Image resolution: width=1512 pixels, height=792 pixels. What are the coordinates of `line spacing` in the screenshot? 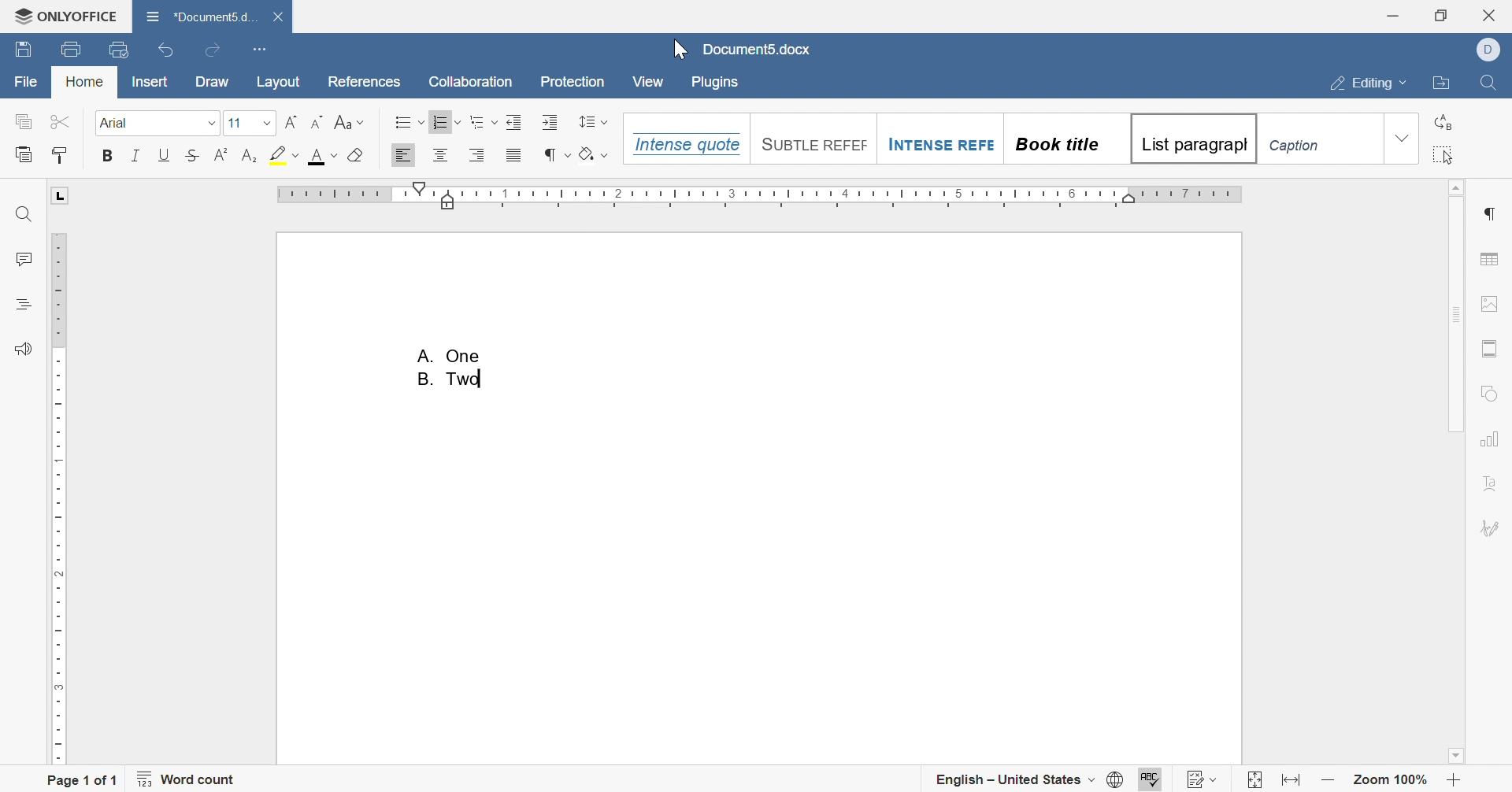 It's located at (593, 122).